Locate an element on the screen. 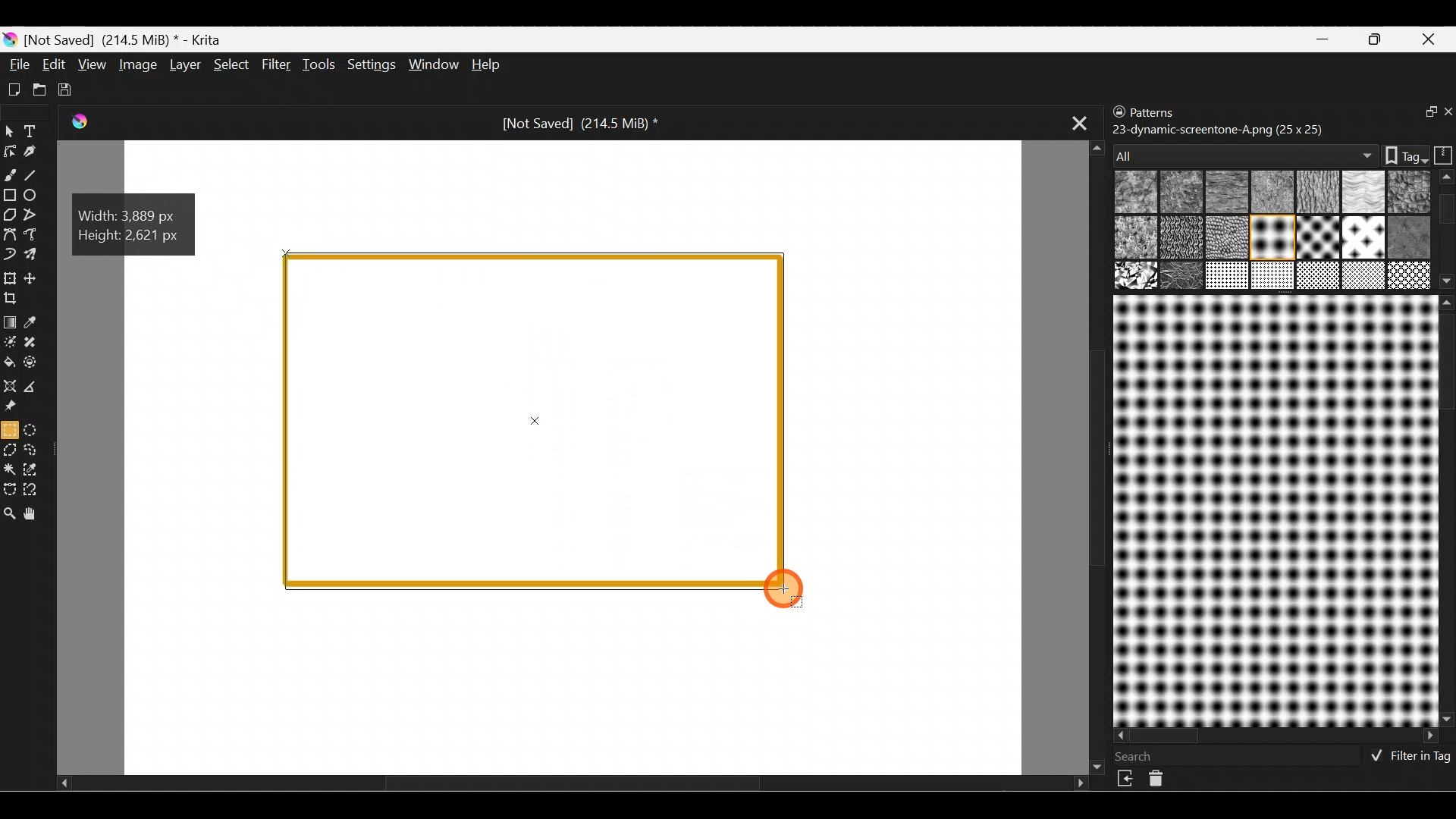  Tools is located at coordinates (318, 66).